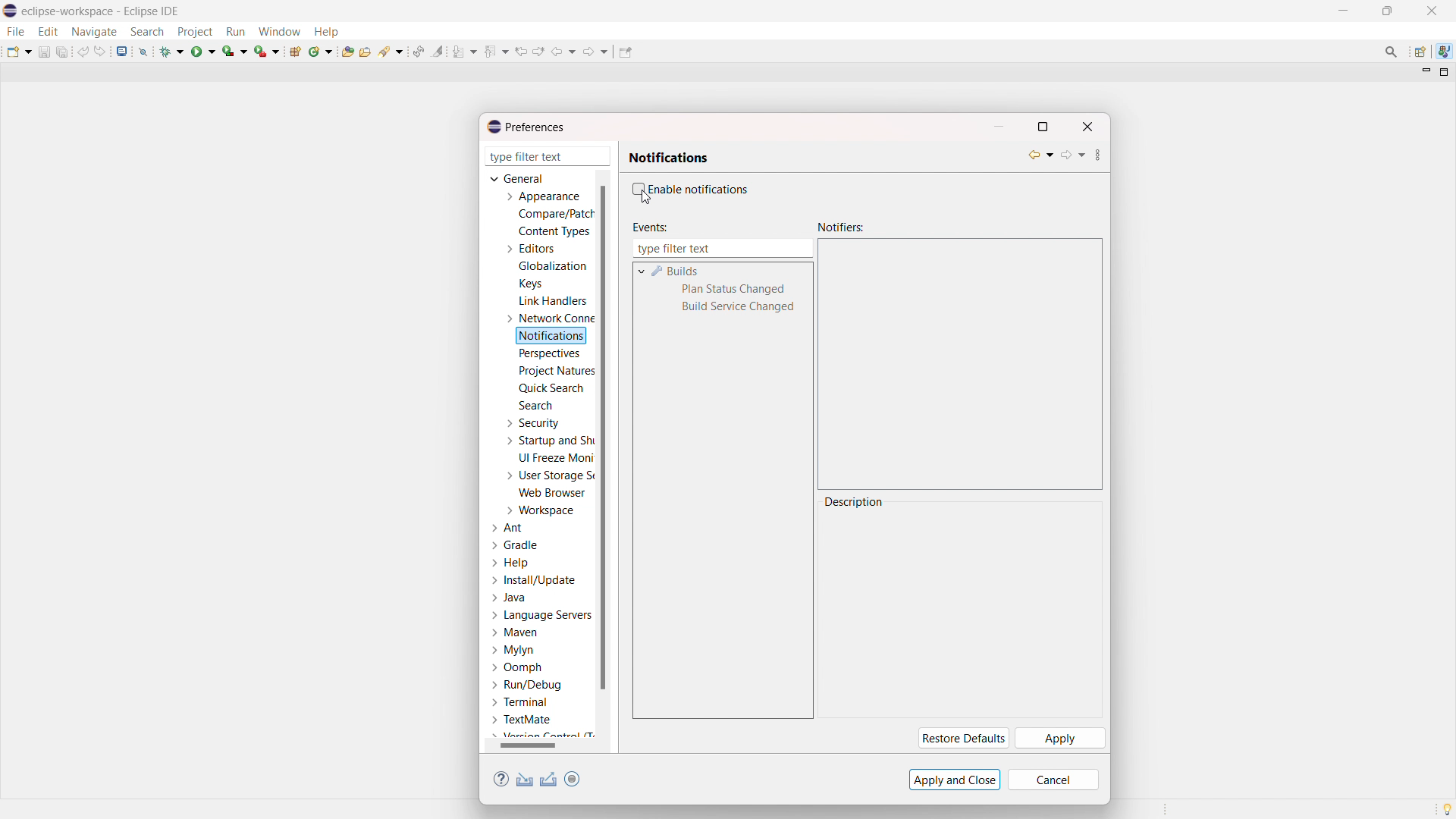  Describe the element at coordinates (525, 127) in the screenshot. I see `preferences dialogbox` at that location.